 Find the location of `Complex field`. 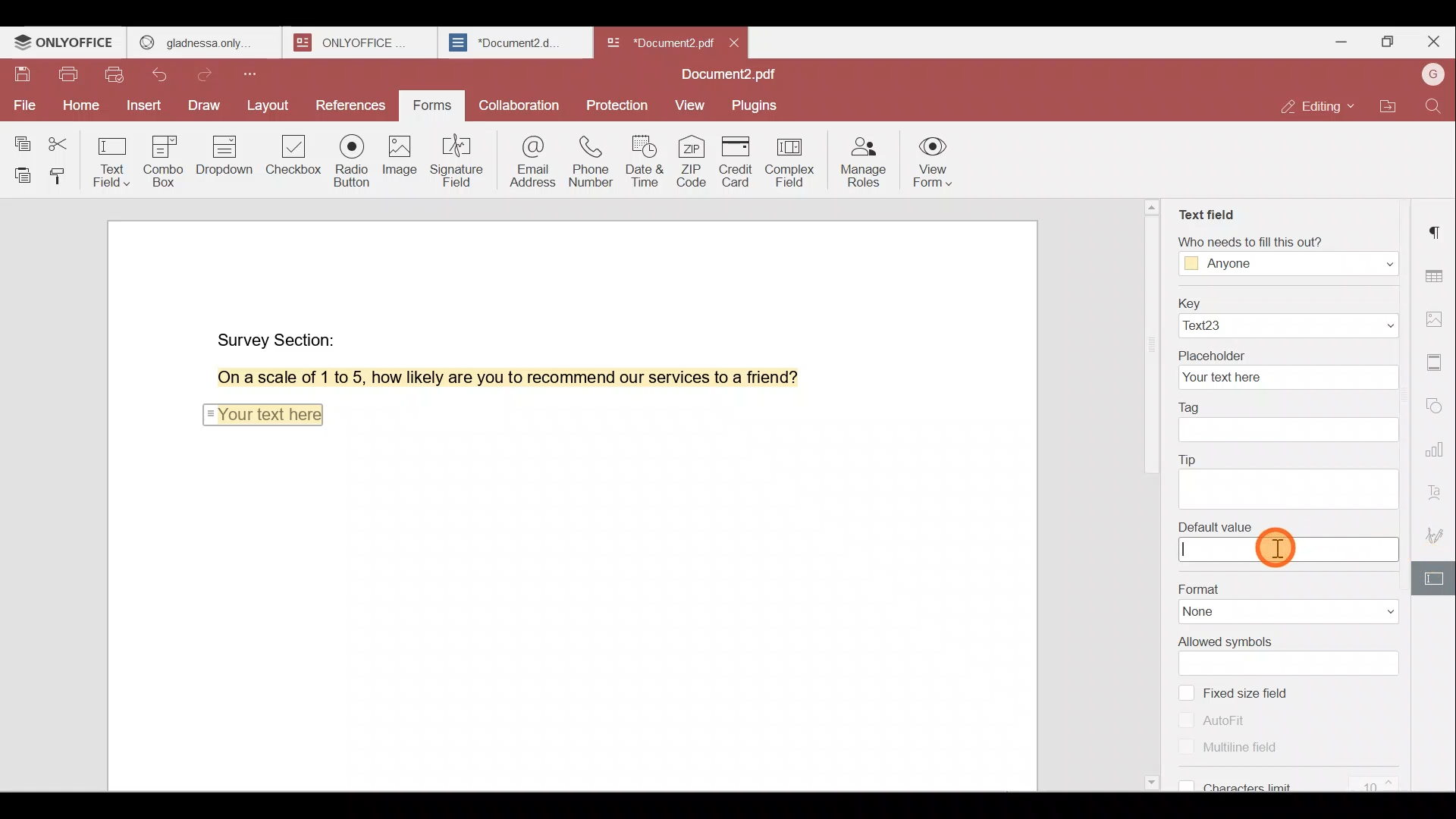

Complex field is located at coordinates (794, 163).